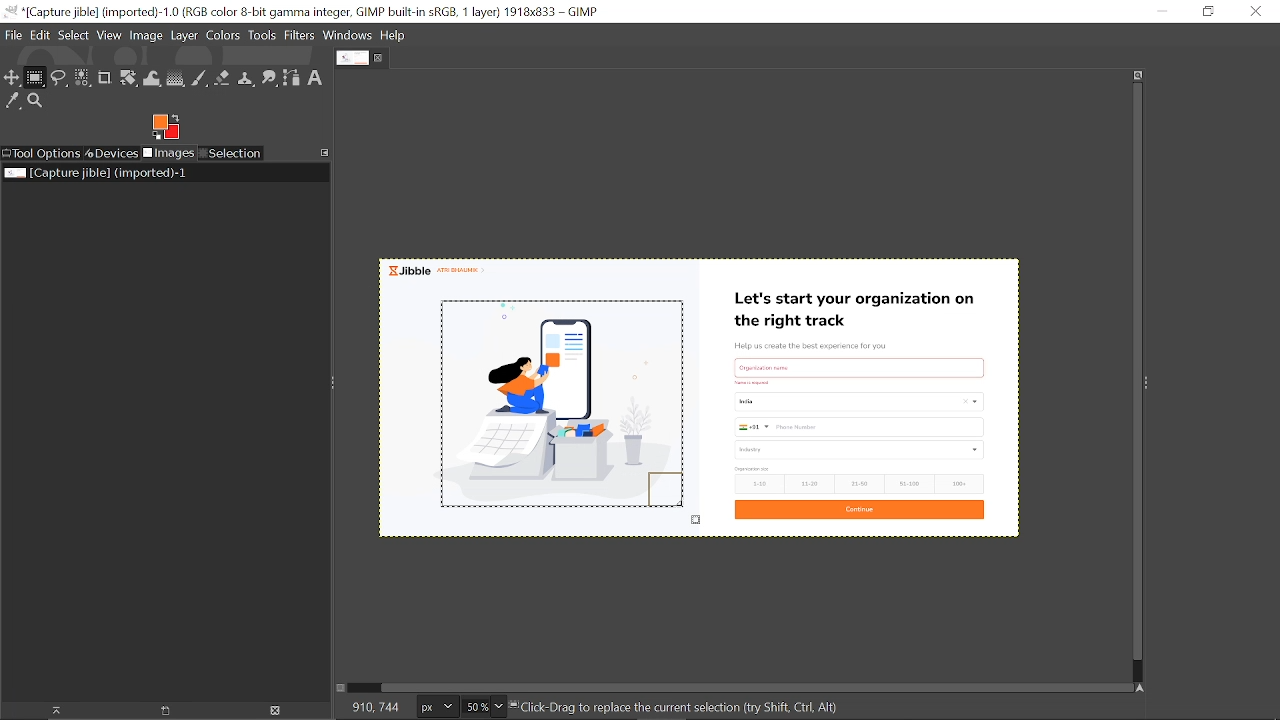 The image size is (1280, 720). I want to click on Select by color, so click(82, 79).